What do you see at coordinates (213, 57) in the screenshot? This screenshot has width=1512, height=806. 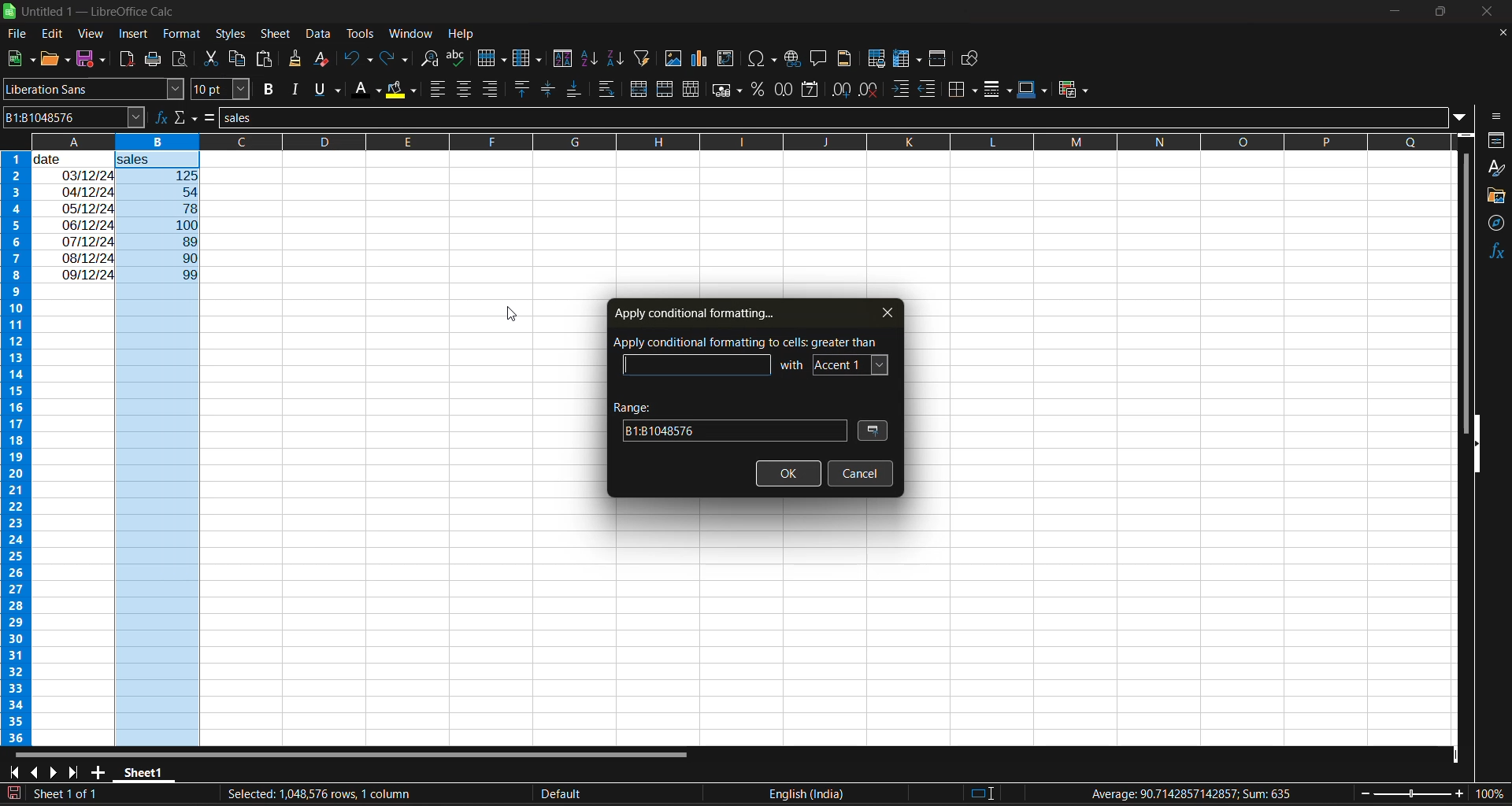 I see `cut` at bounding box center [213, 57].